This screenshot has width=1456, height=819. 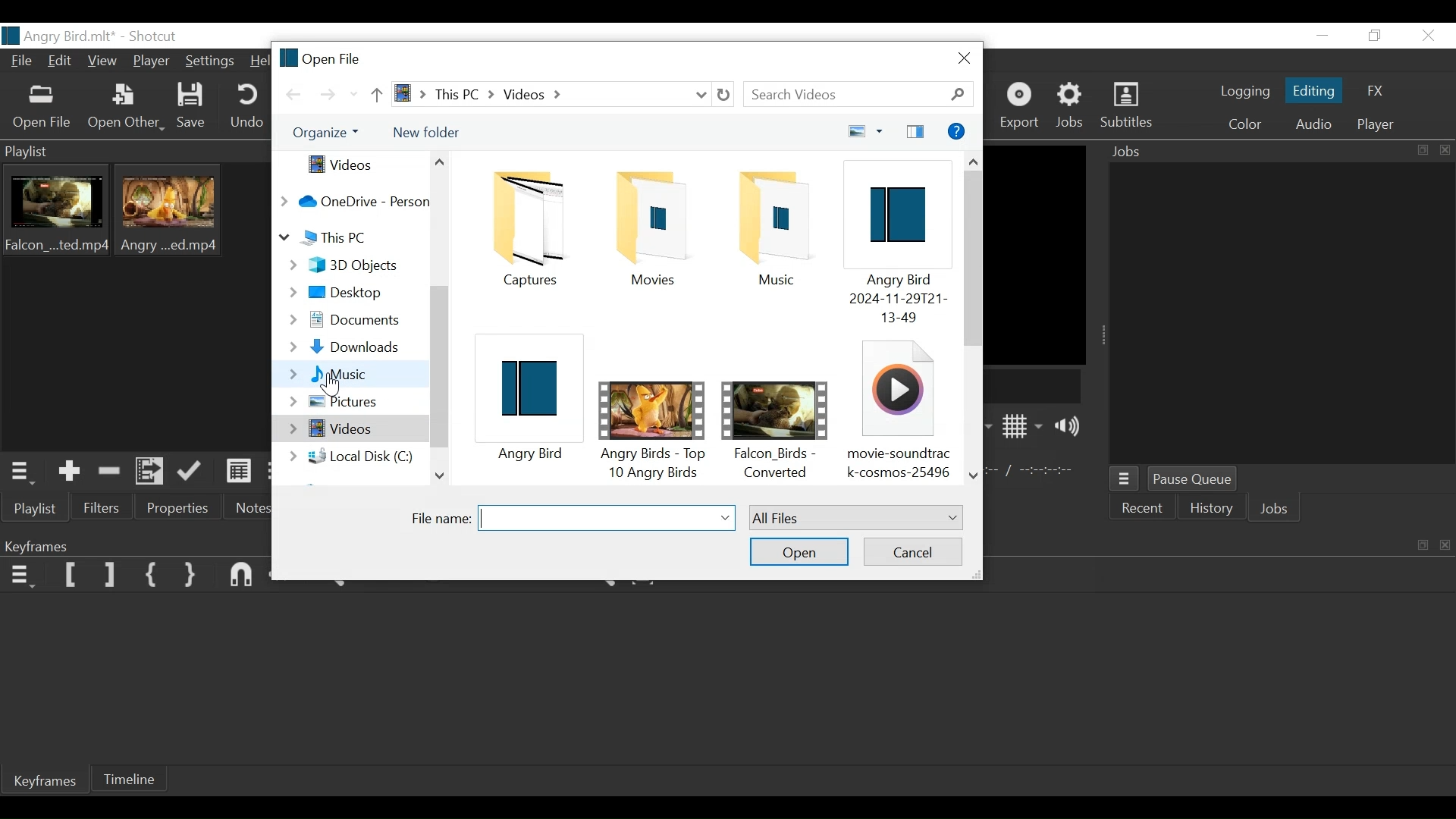 I want to click on Keyframe Panel, so click(x=135, y=545).